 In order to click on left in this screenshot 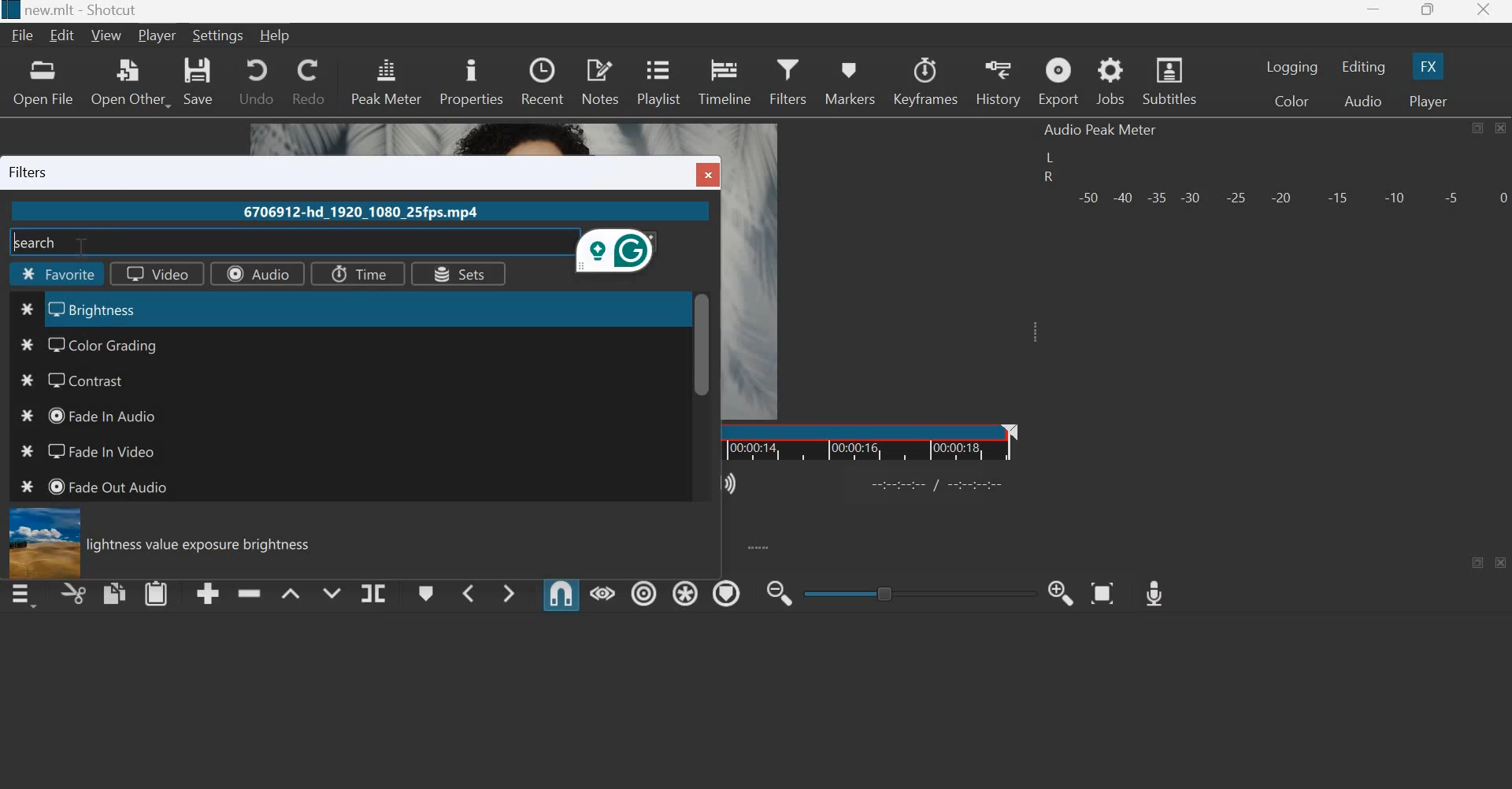, I will do `click(1052, 157)`.